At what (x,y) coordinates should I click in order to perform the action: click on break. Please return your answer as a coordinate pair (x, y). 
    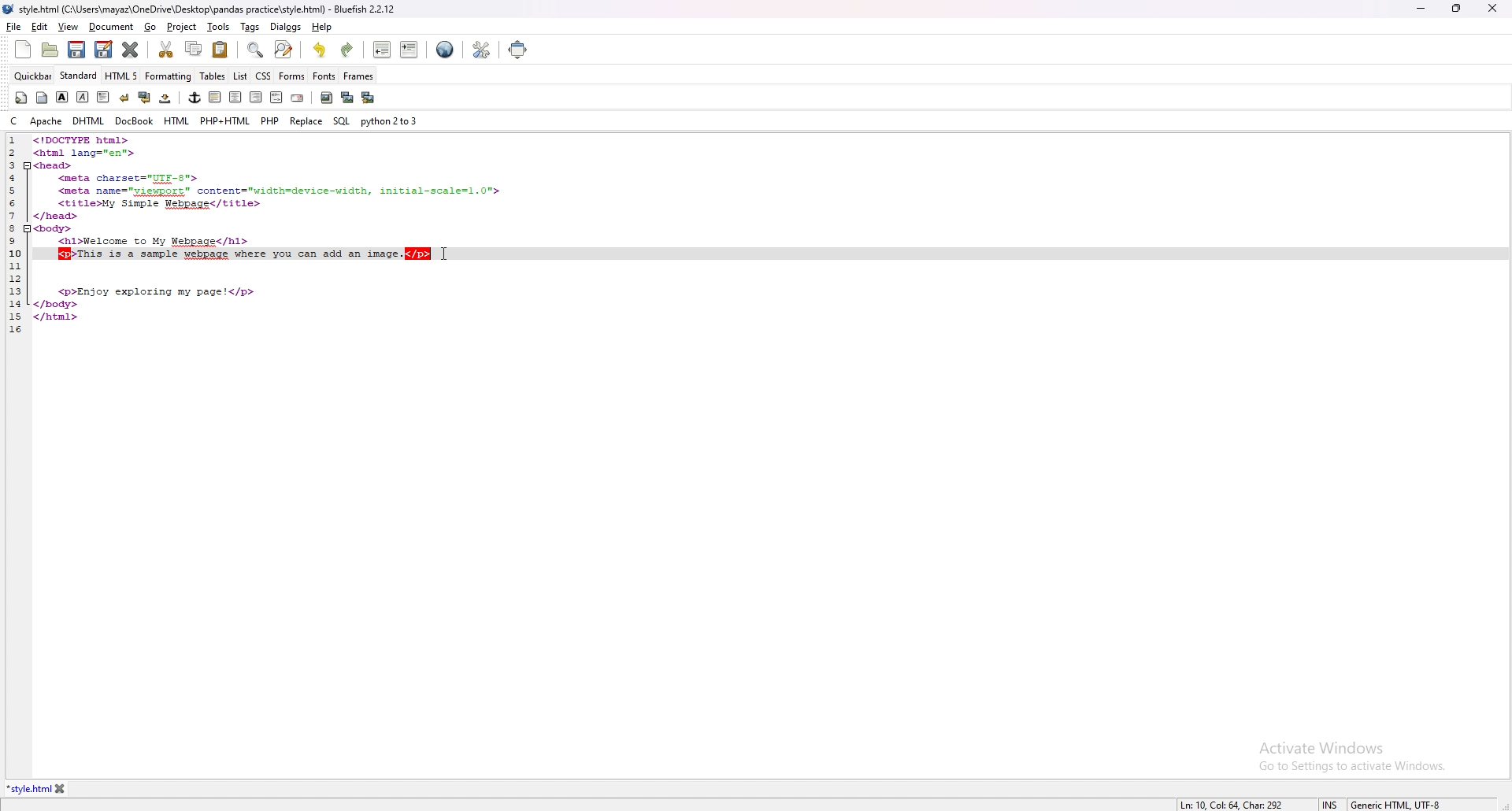
    Looking at the image, I should click on (124, 98).